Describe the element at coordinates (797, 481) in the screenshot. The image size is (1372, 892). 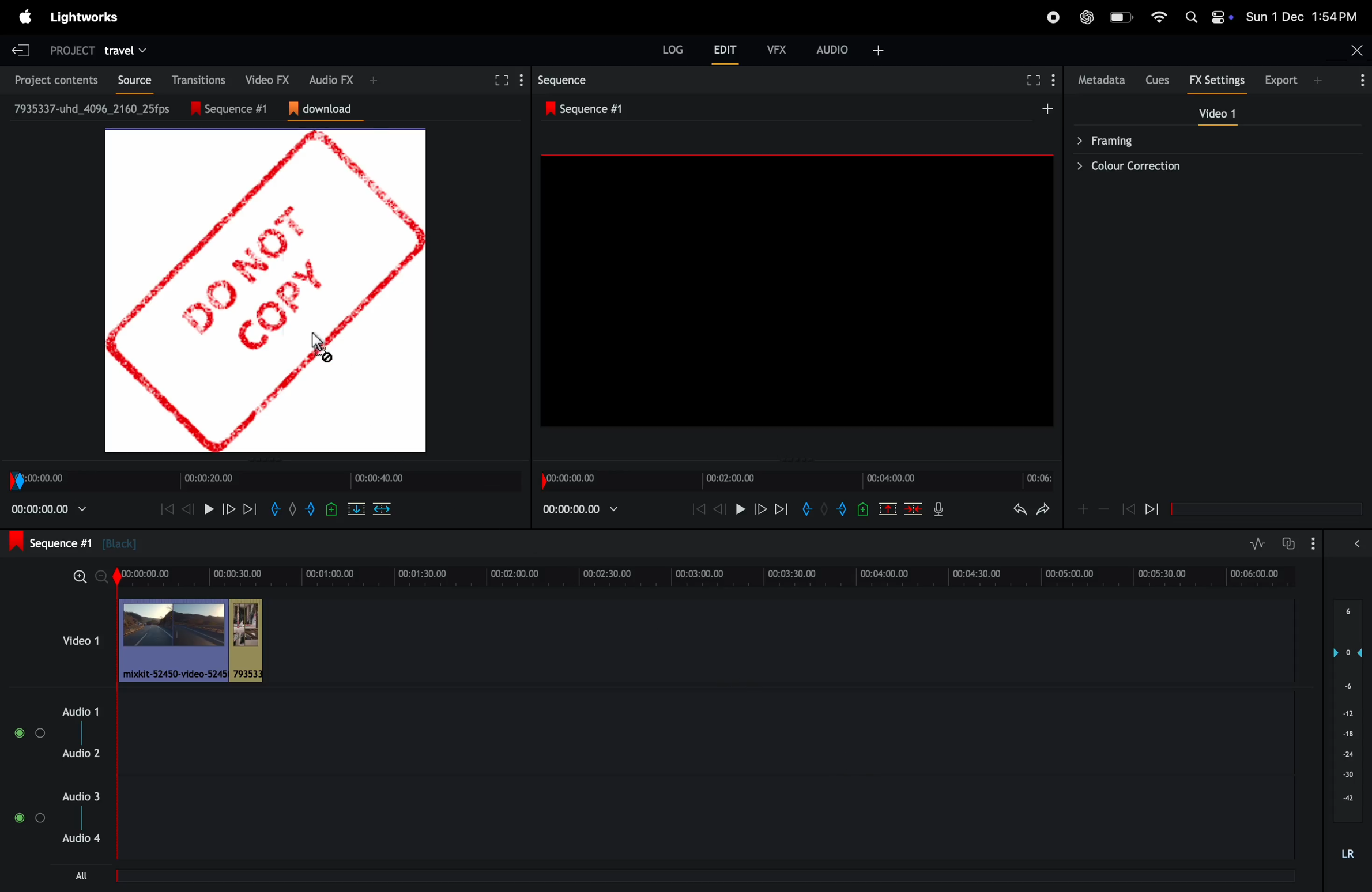
I see `time frame` at that location.